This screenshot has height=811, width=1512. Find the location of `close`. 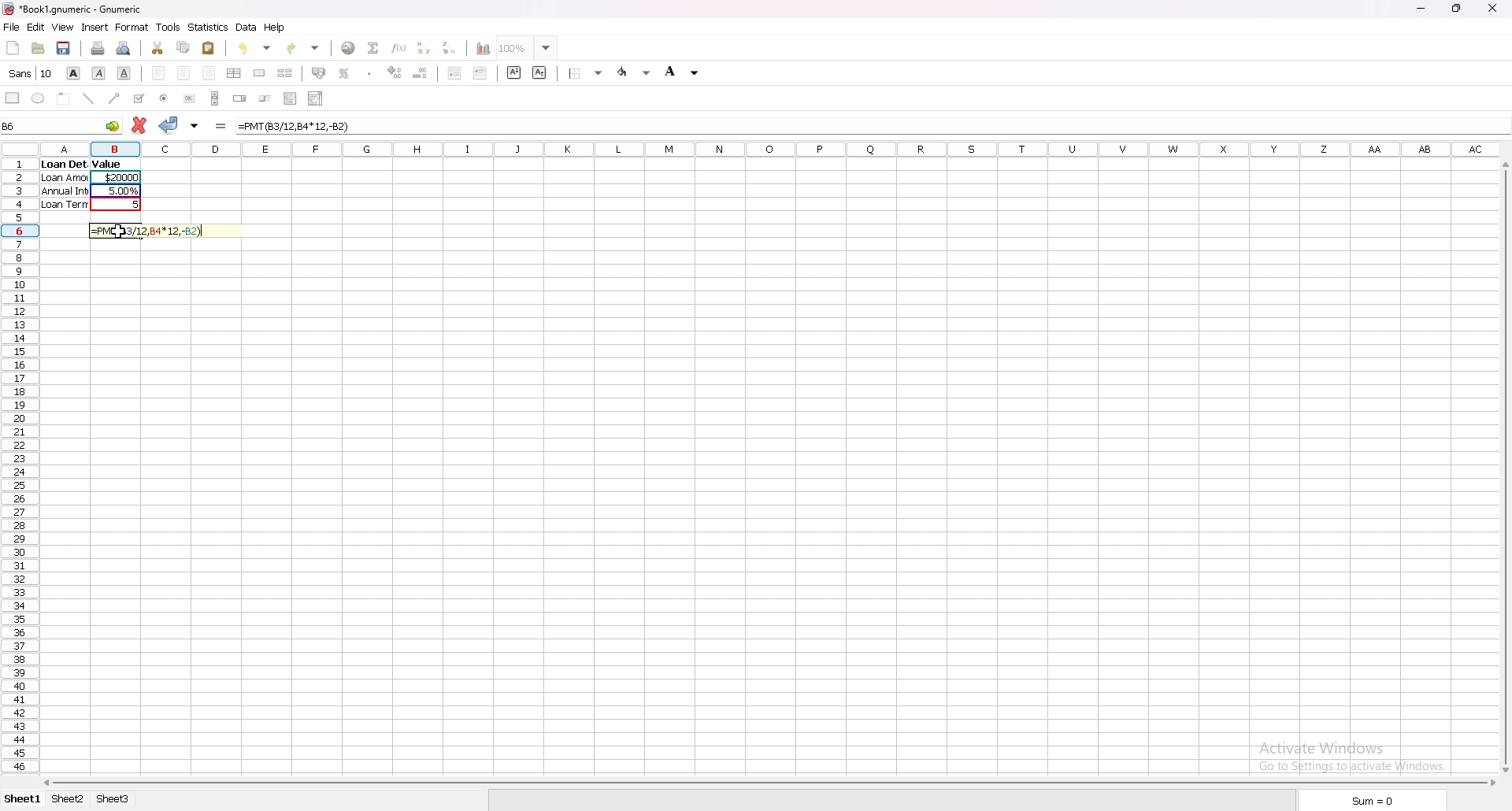

close is located at coordinates (1492, 9).